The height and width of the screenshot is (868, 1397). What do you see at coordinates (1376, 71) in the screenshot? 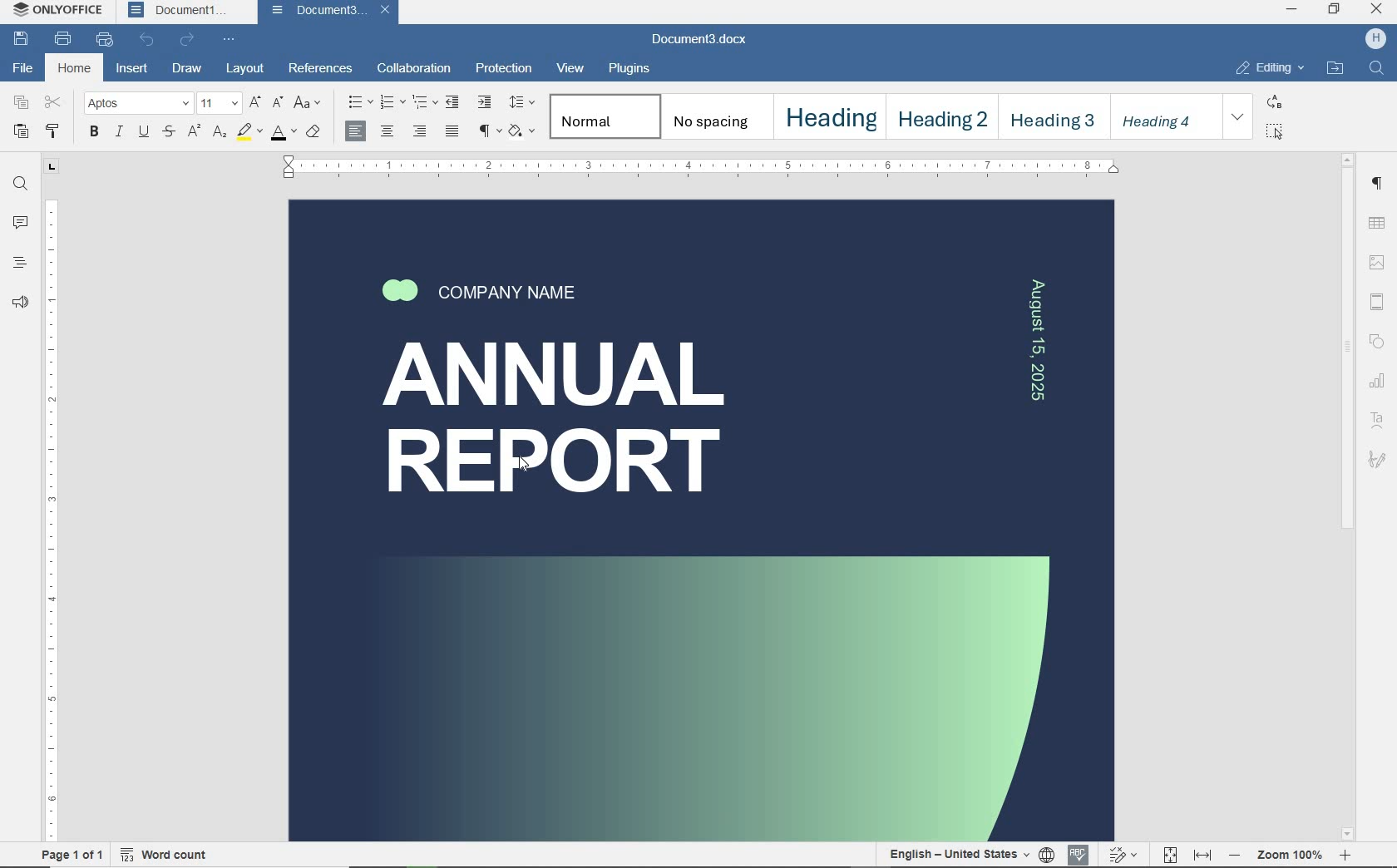
I see `find` at bounding box center [1376, 71].